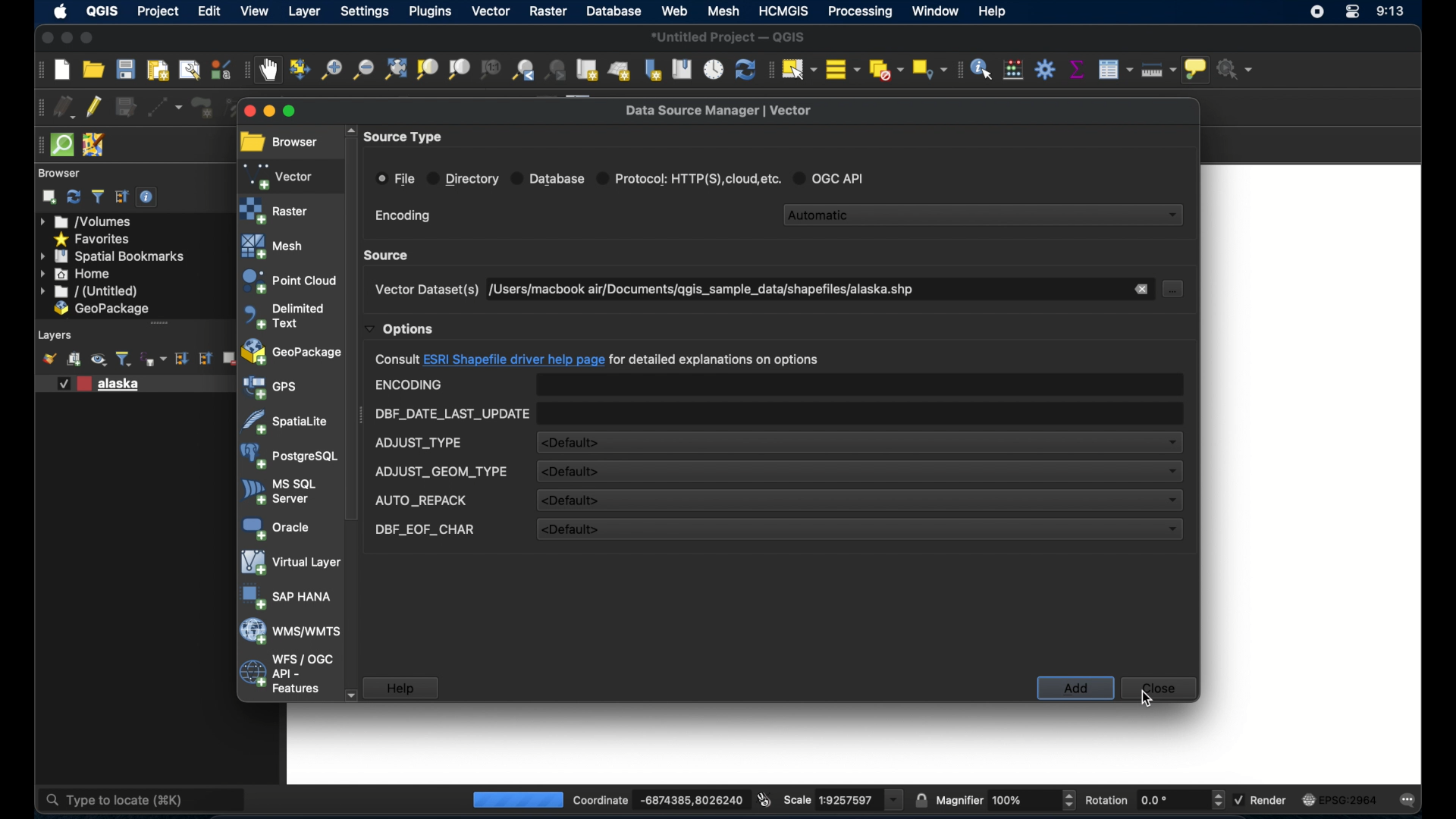 The image size is (1456, 819). Describe the element at coordinates (149, 199) in the screenshot. I see `enable/disable properties widget` at that location.